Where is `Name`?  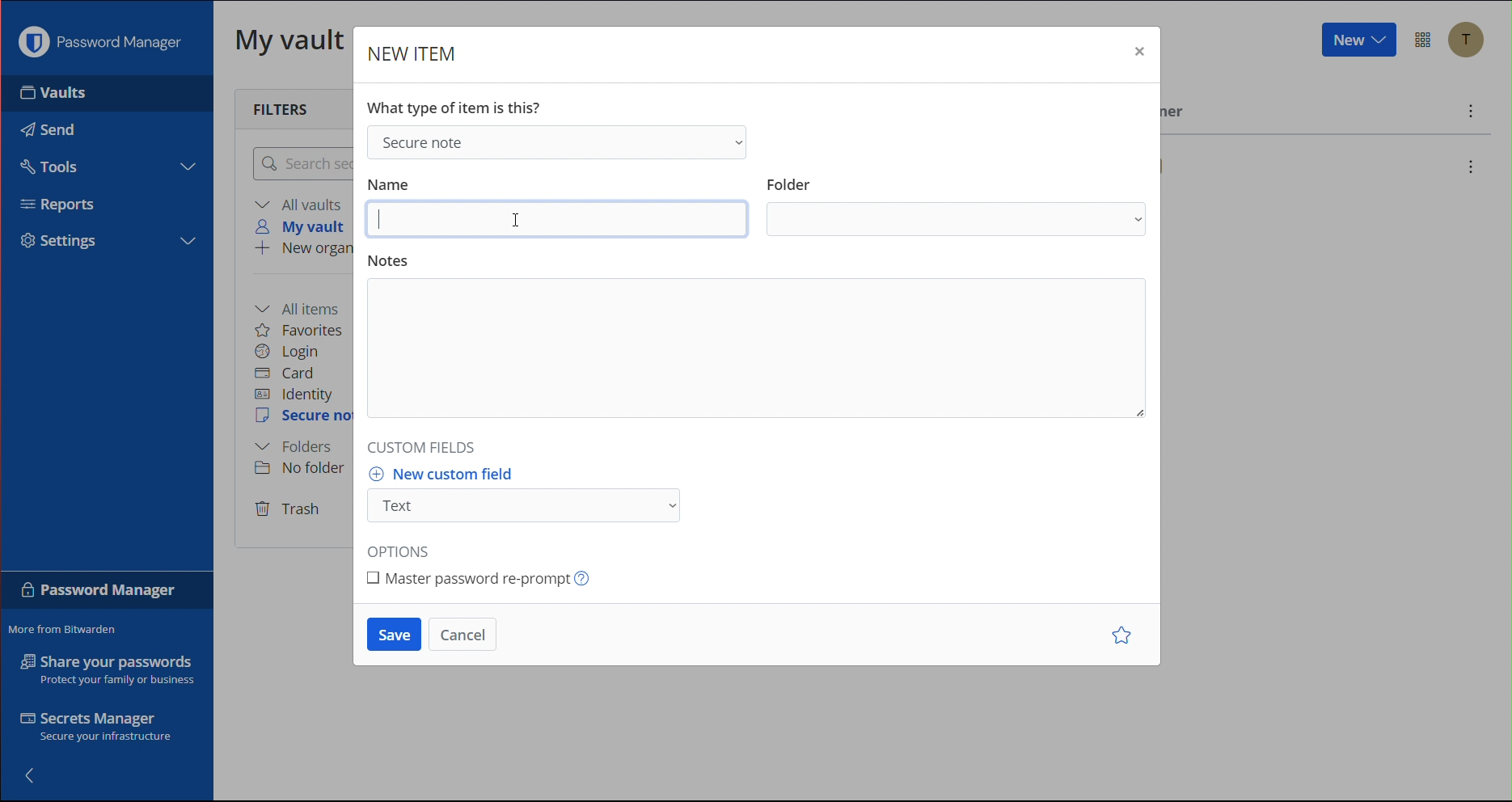
Name is located at coordinates (390, 182).